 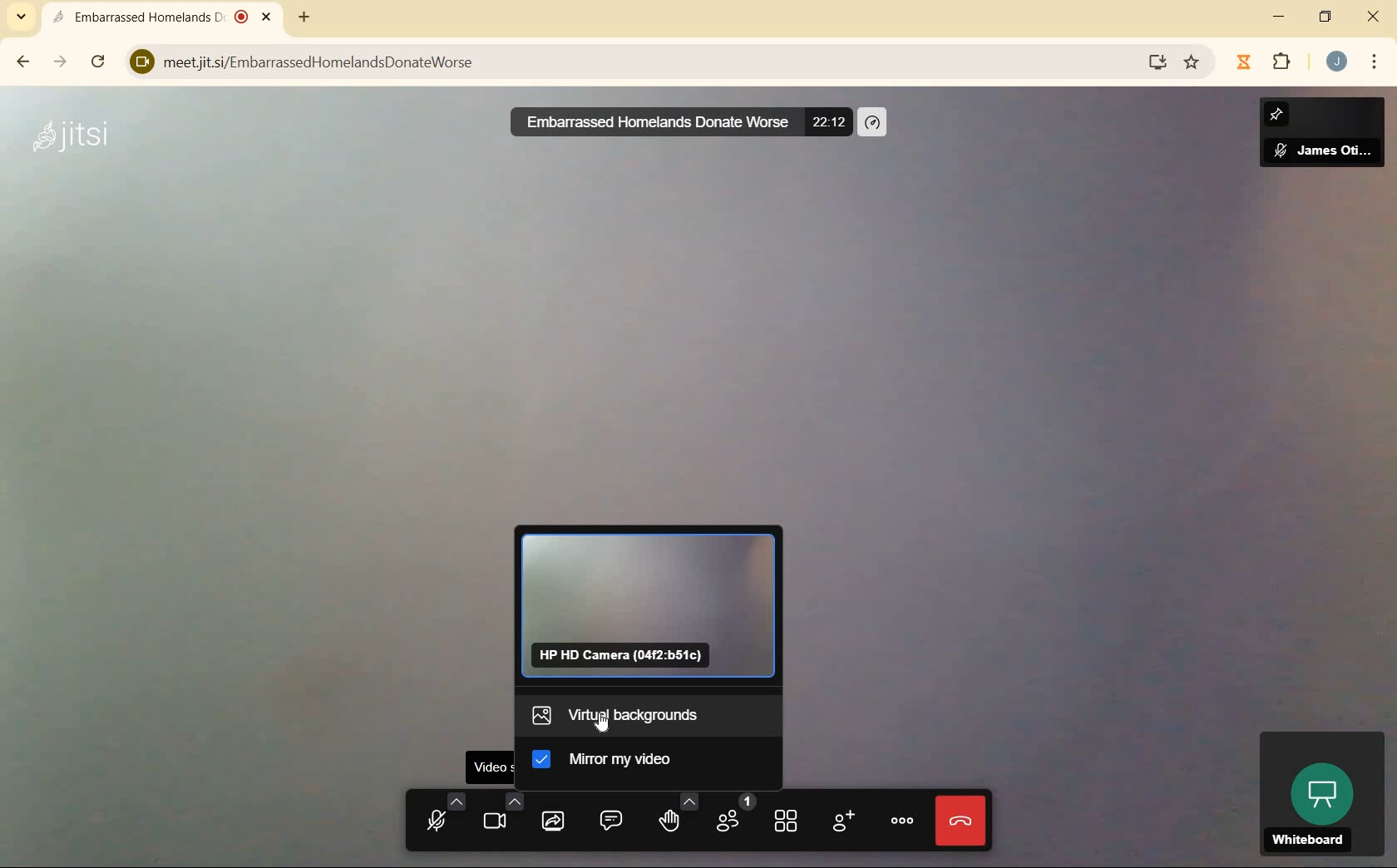 What do you see at coordinates (545, 762) in the screenshot?
I see `checkbox` at bounding box center [545, 762].